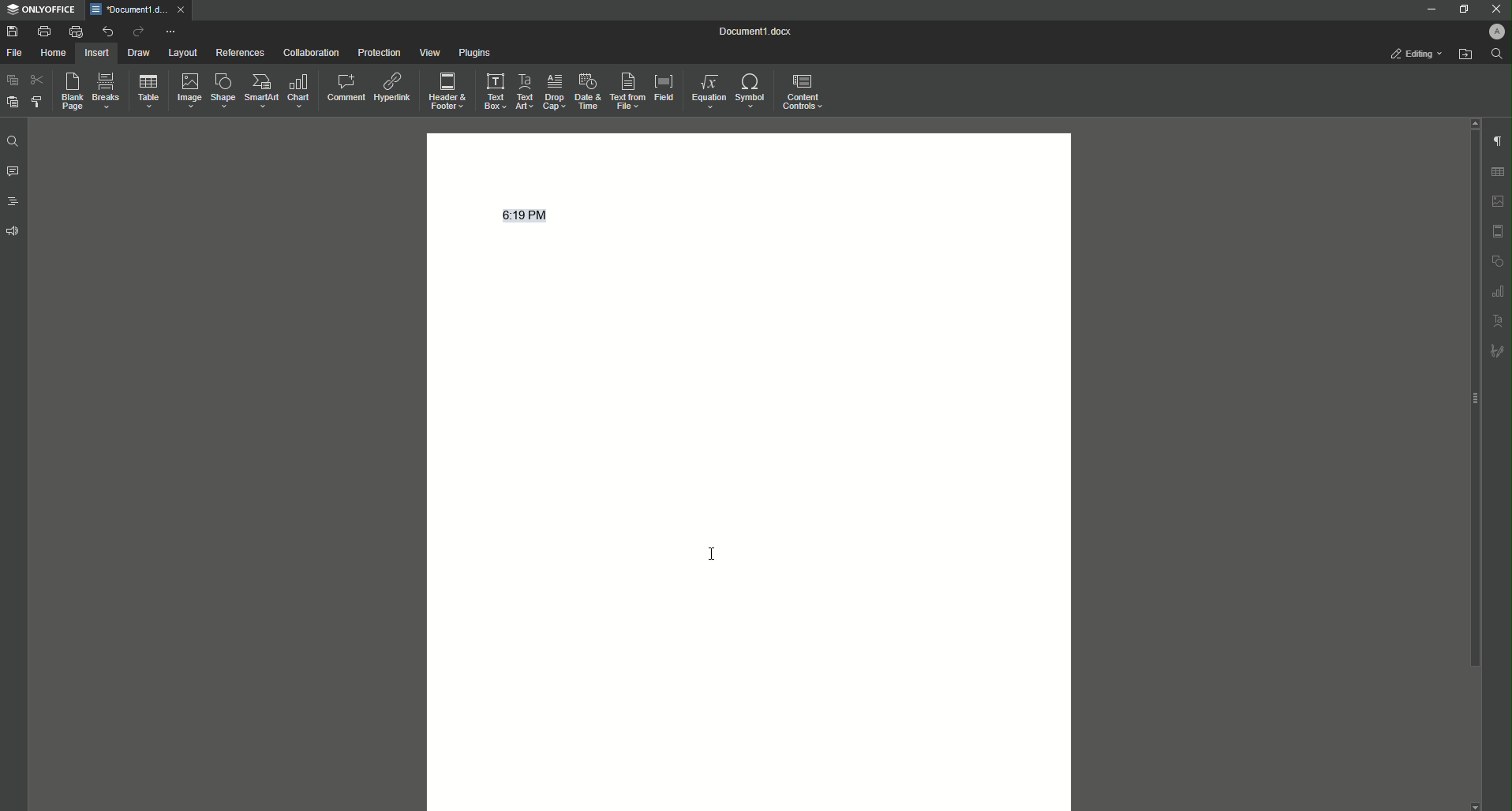 The image size is (1512, 811). Describe the element at coordinates (472, 52) in the screenshot. I see `Plugins` at that location.